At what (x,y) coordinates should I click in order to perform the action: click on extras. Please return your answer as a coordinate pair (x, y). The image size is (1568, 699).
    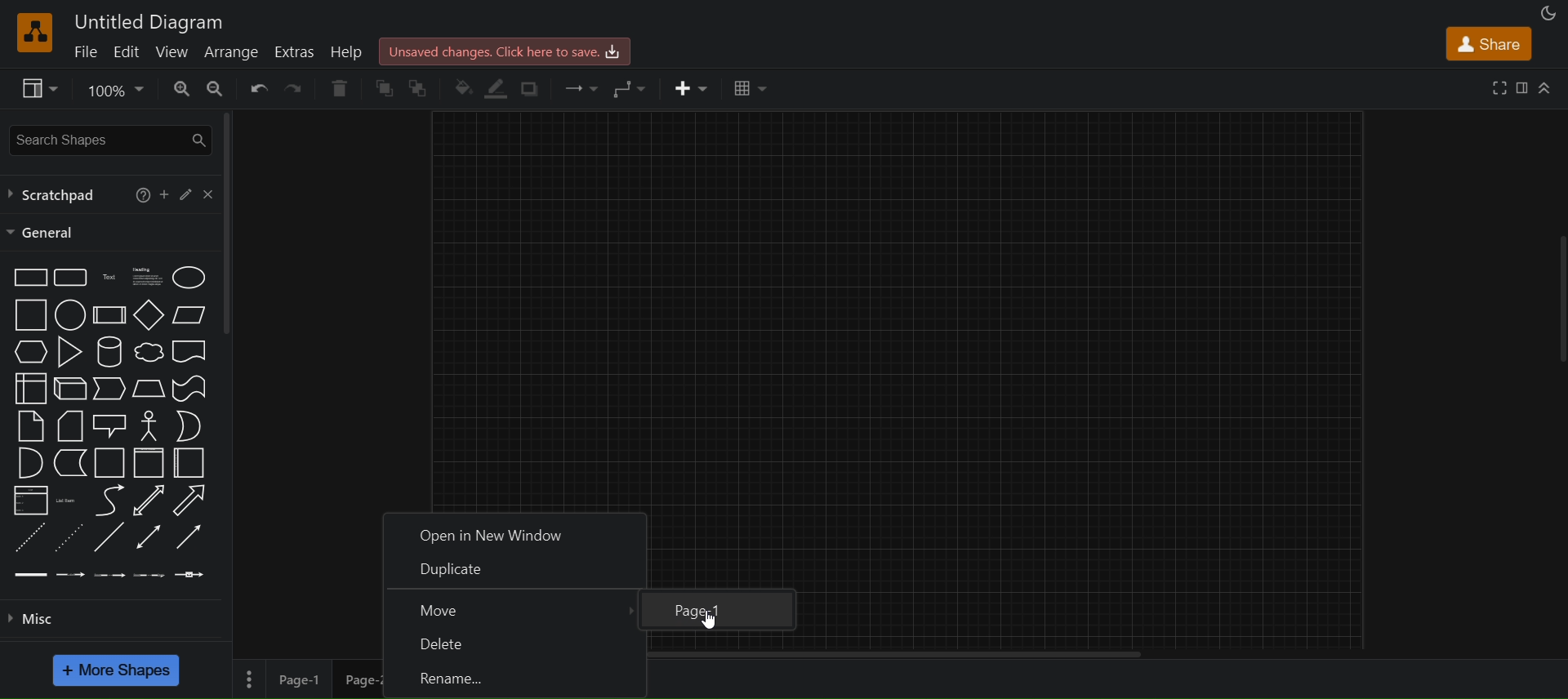
    Looking at the image, I should click on (295, 52).